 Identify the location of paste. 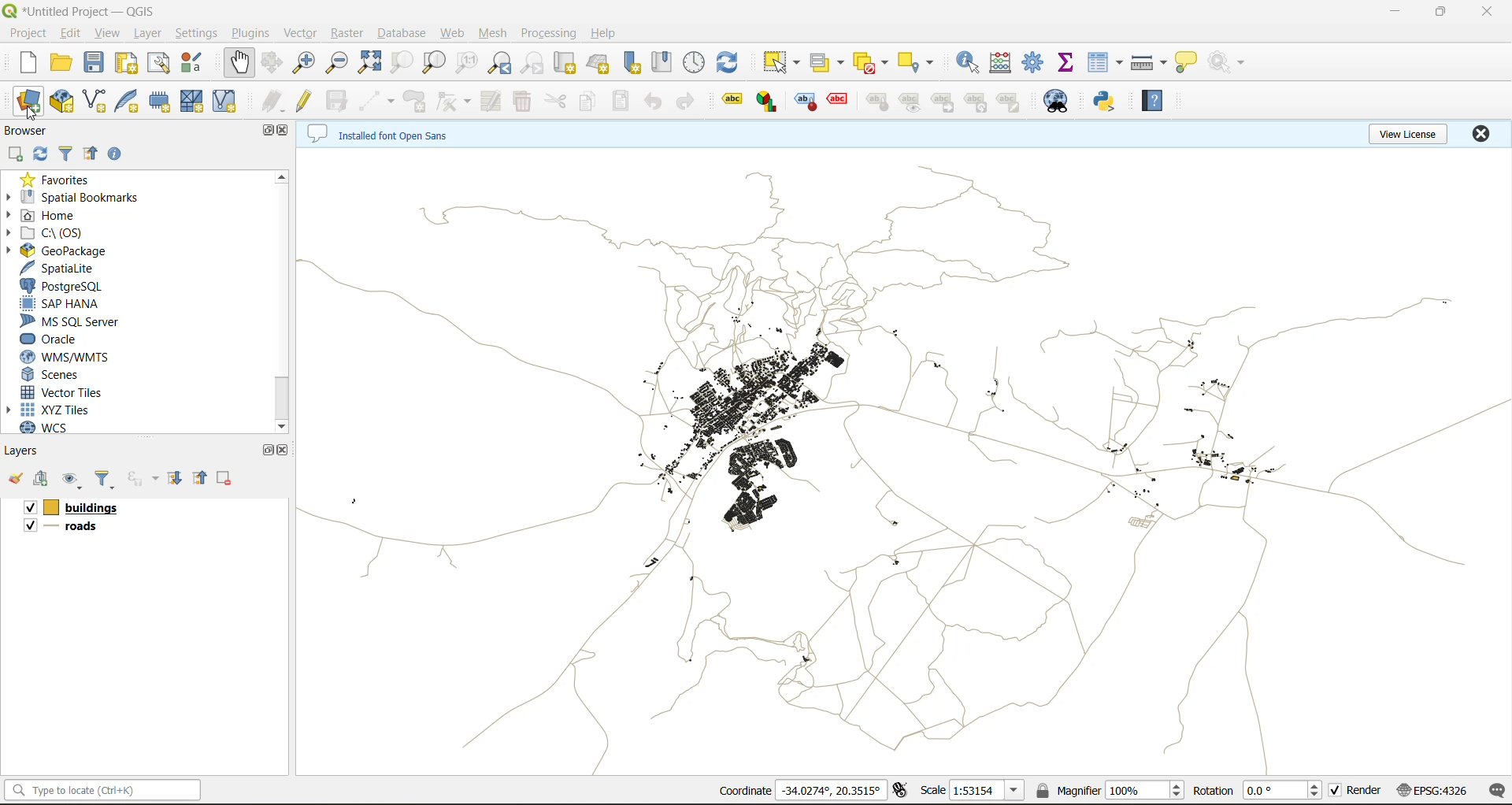
(622, 103).